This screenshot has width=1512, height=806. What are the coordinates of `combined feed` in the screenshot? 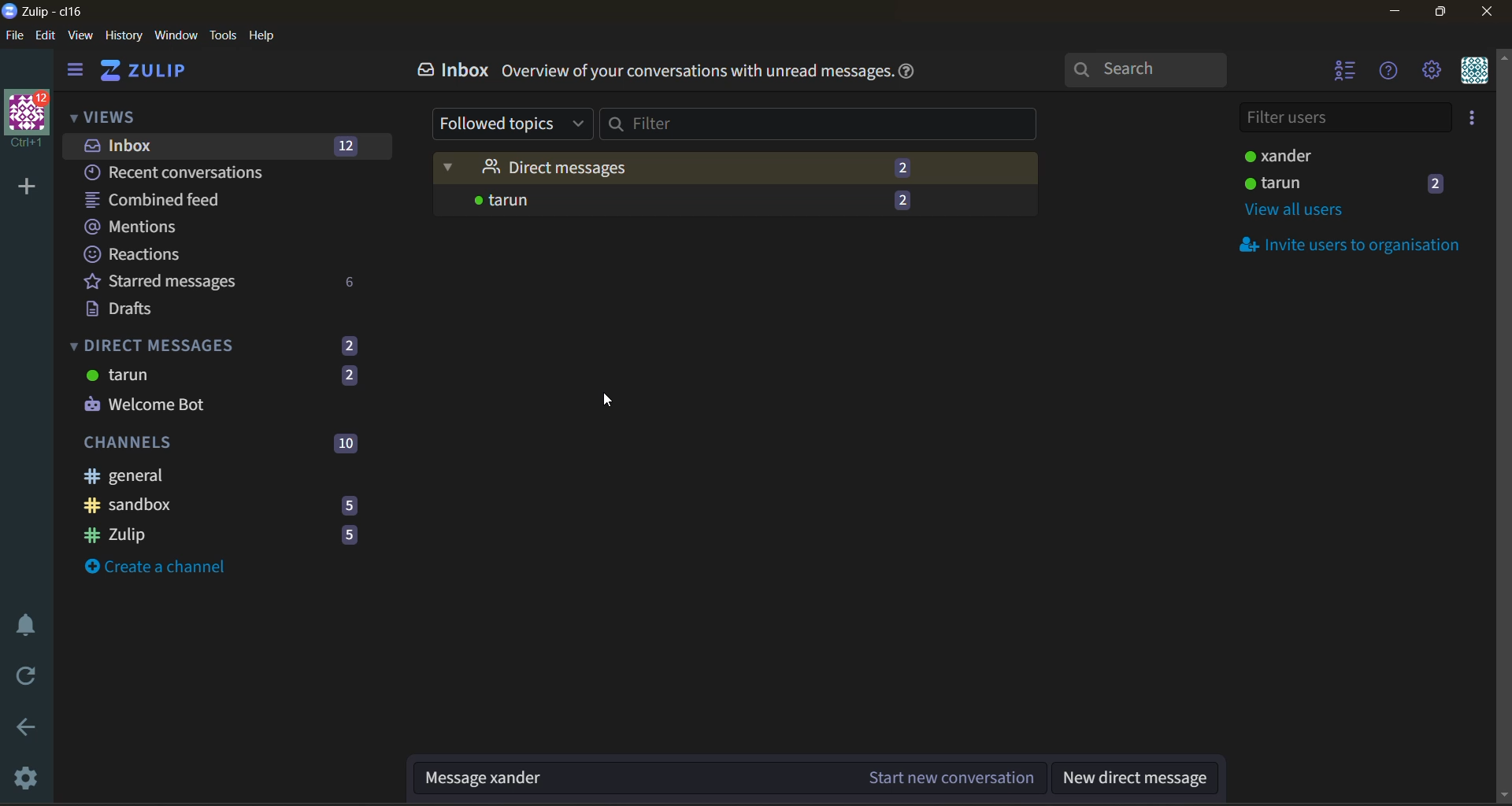 It's located at (165, 200).